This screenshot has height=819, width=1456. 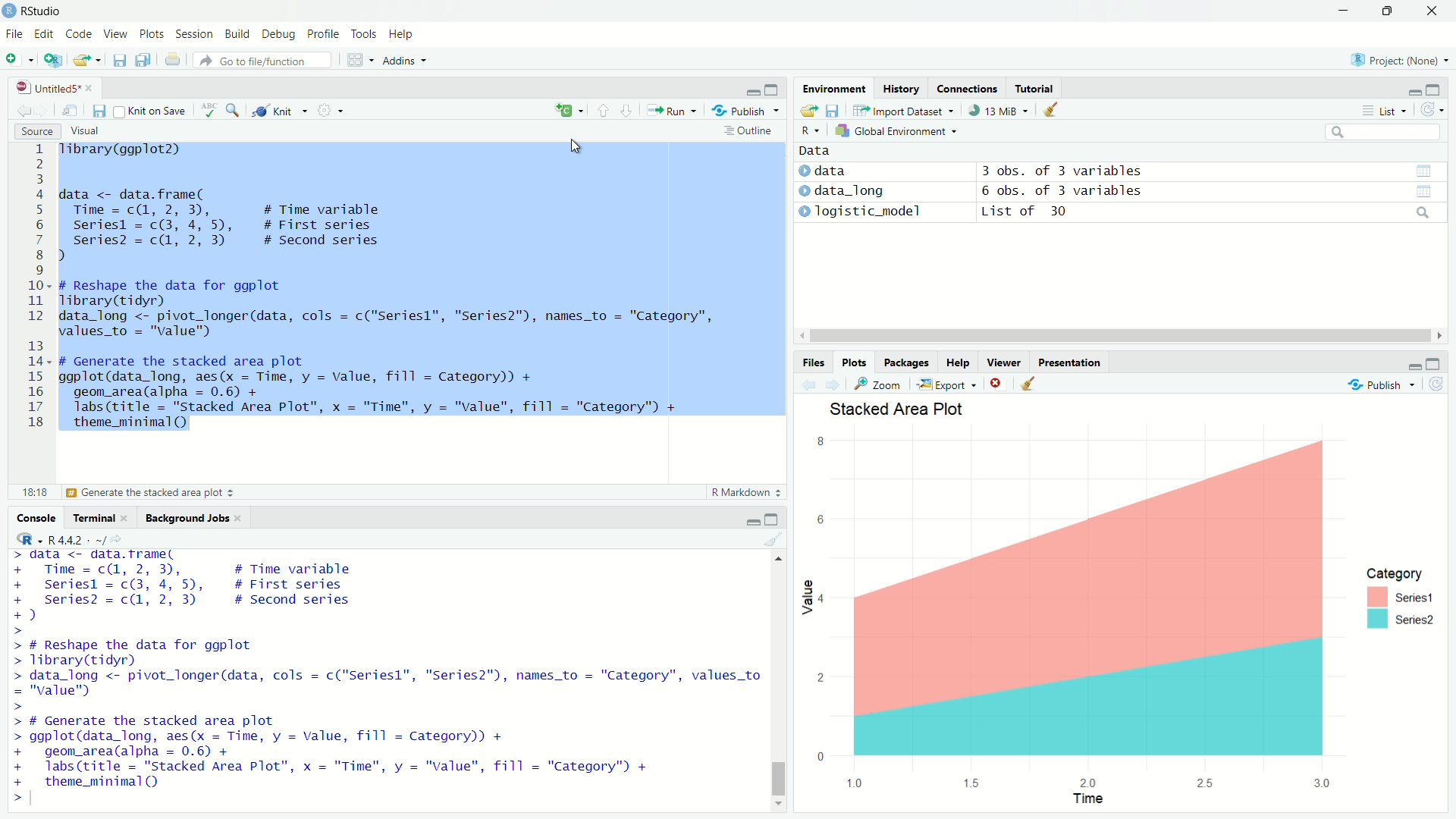 What do you see at coordinates (1430, 111) in the screenshot?
I see `refresh` at bounding box center [1430, 111].